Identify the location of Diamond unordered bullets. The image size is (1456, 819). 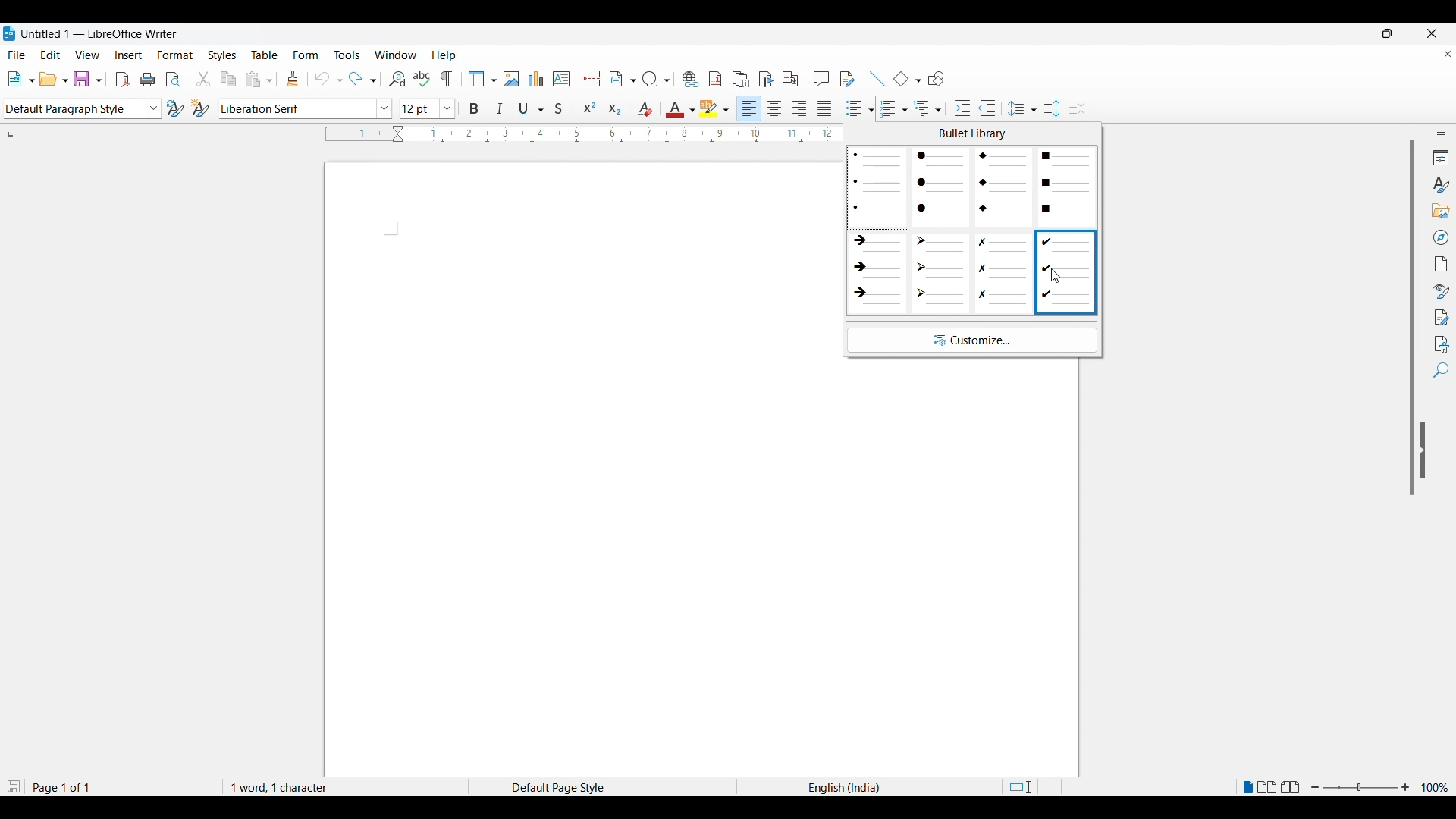
(1005, 187).